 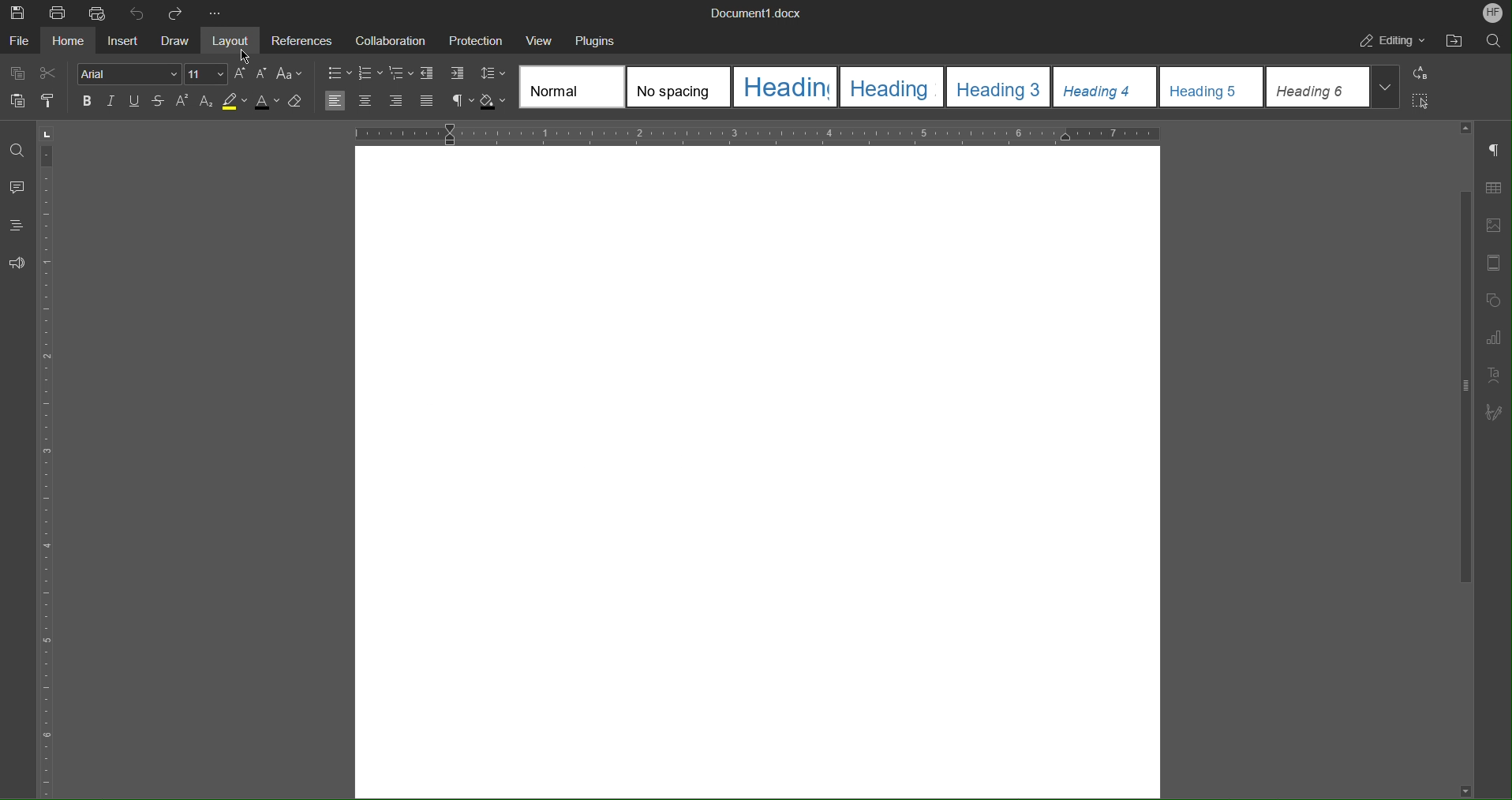 I want to click on Collaboration, so click(x=386, y=39).